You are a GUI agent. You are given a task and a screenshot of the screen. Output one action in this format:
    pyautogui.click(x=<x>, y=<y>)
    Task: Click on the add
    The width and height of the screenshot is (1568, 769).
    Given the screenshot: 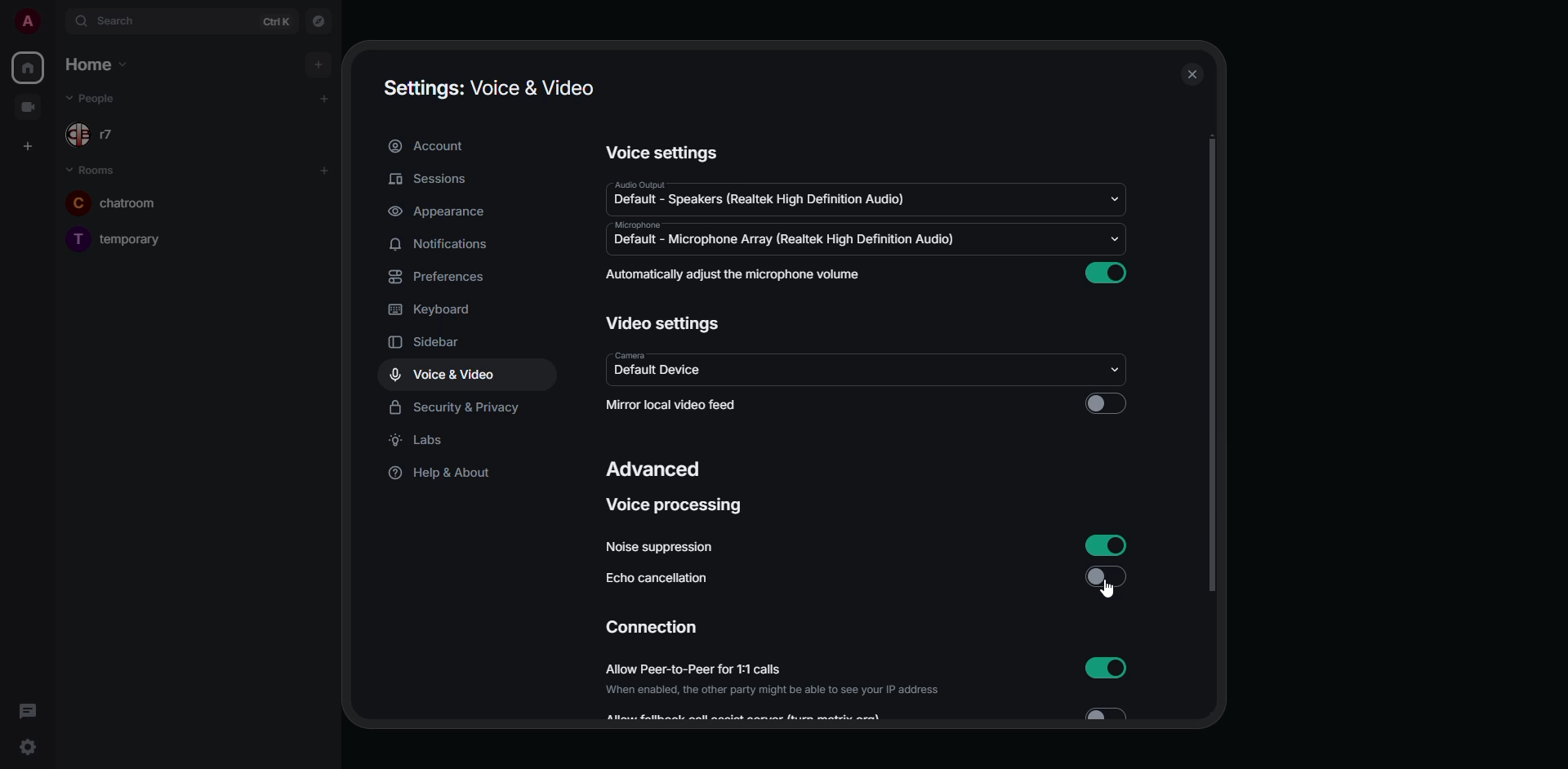 What is the action you would take?
    pyautogui.click(x=326, y=172)
    